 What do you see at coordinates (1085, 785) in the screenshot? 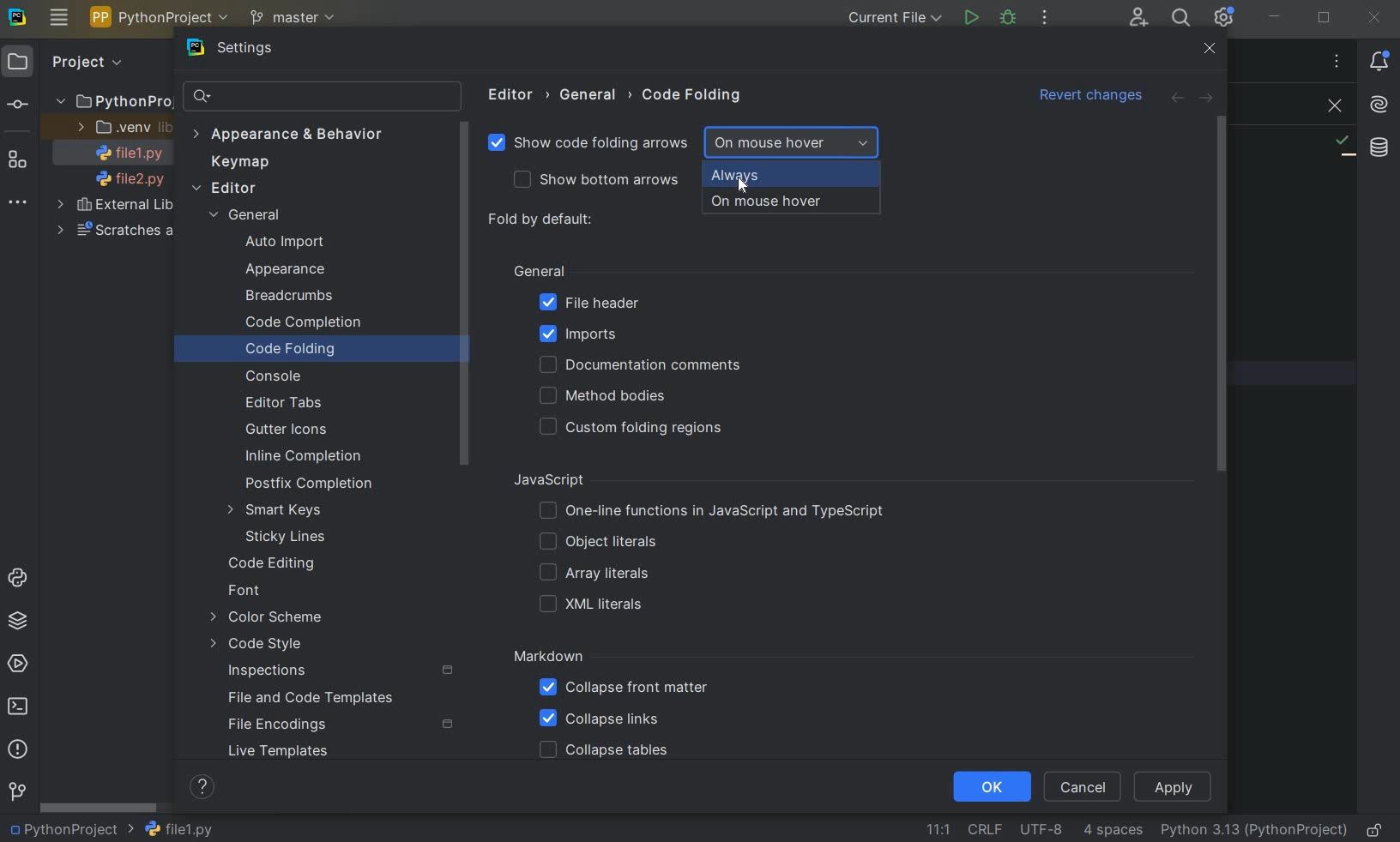
I see `CANCEL` at bounding box center [1085, 785].